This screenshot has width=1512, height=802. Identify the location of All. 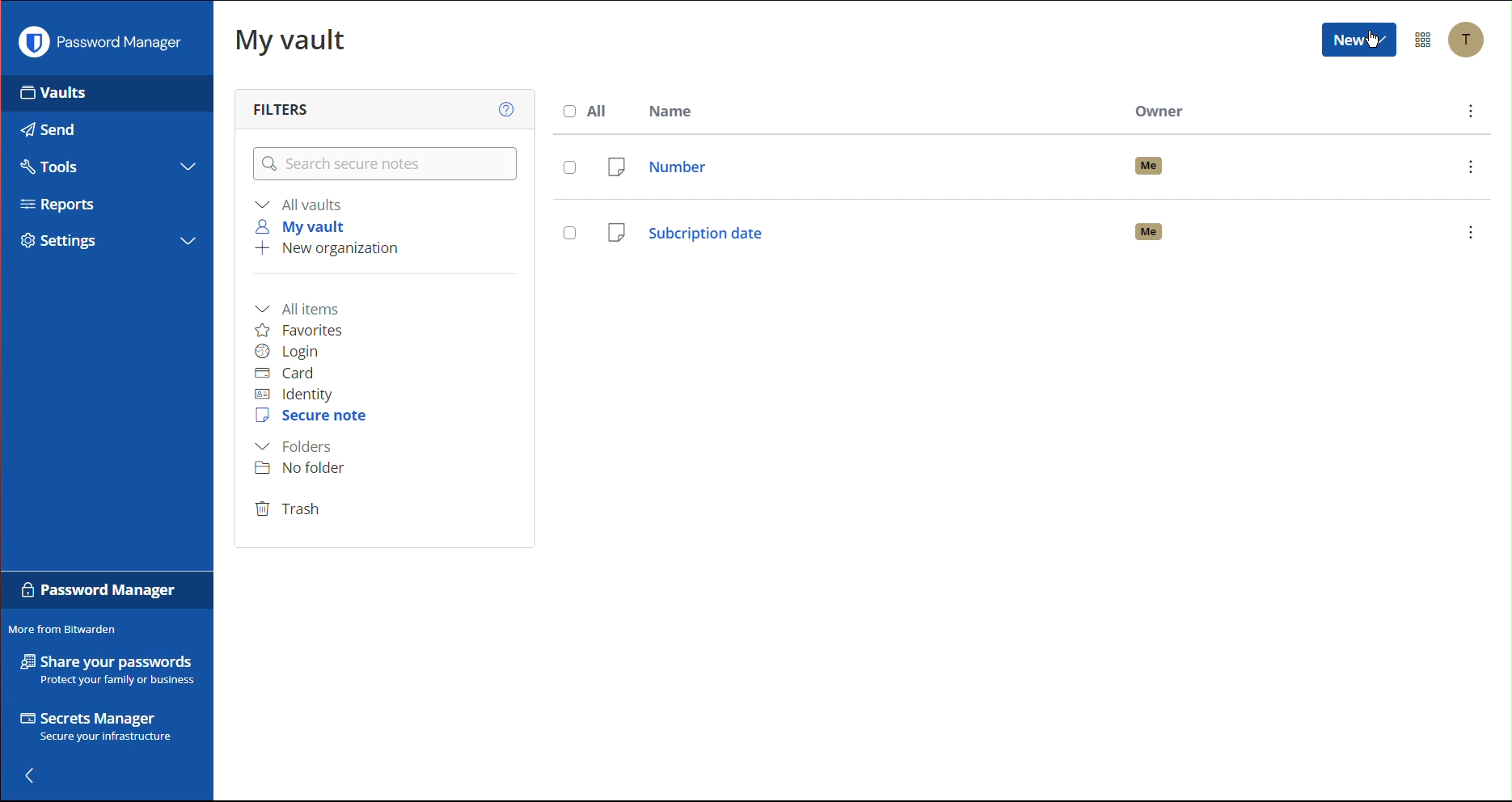
(586, 110).